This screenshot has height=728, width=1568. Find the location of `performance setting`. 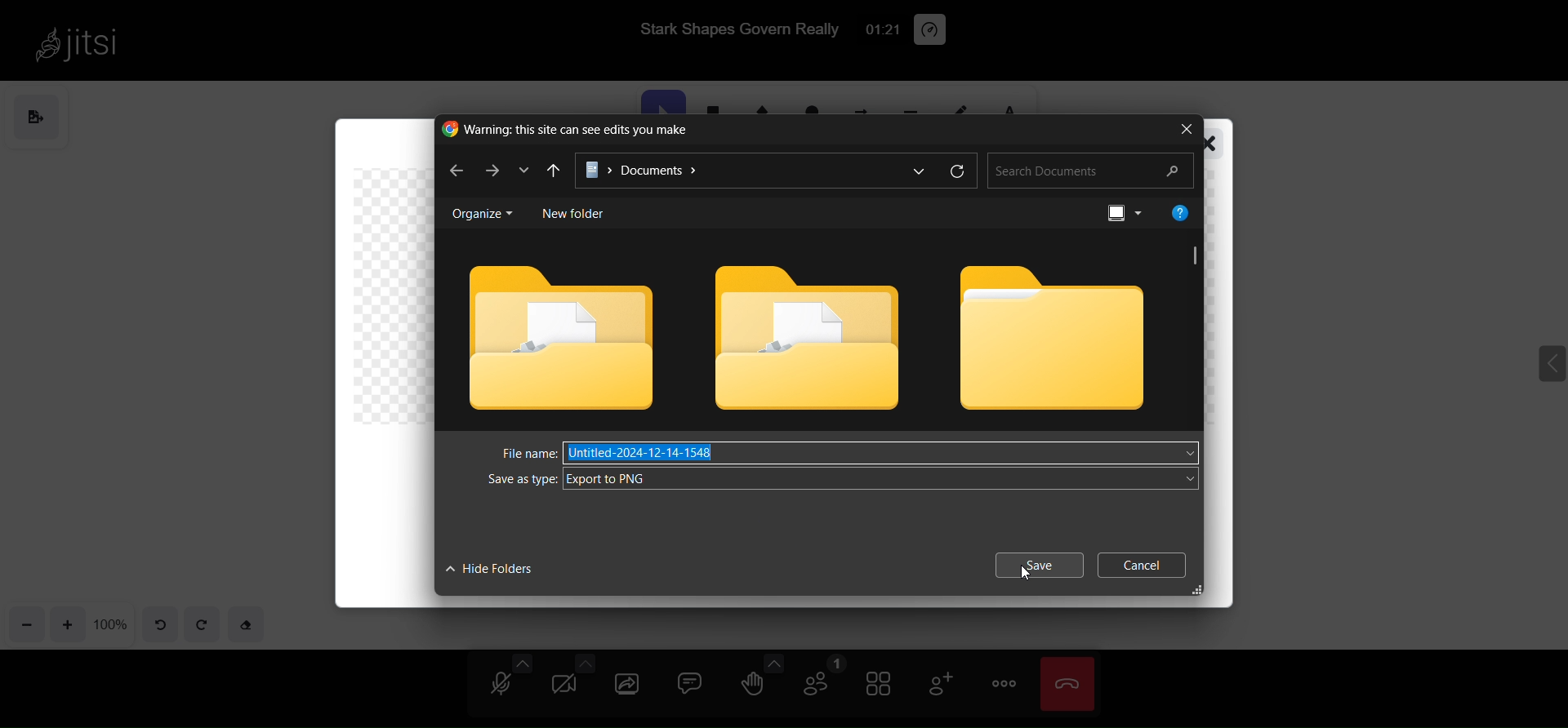

performance setting is located at coordinates (931, 29).